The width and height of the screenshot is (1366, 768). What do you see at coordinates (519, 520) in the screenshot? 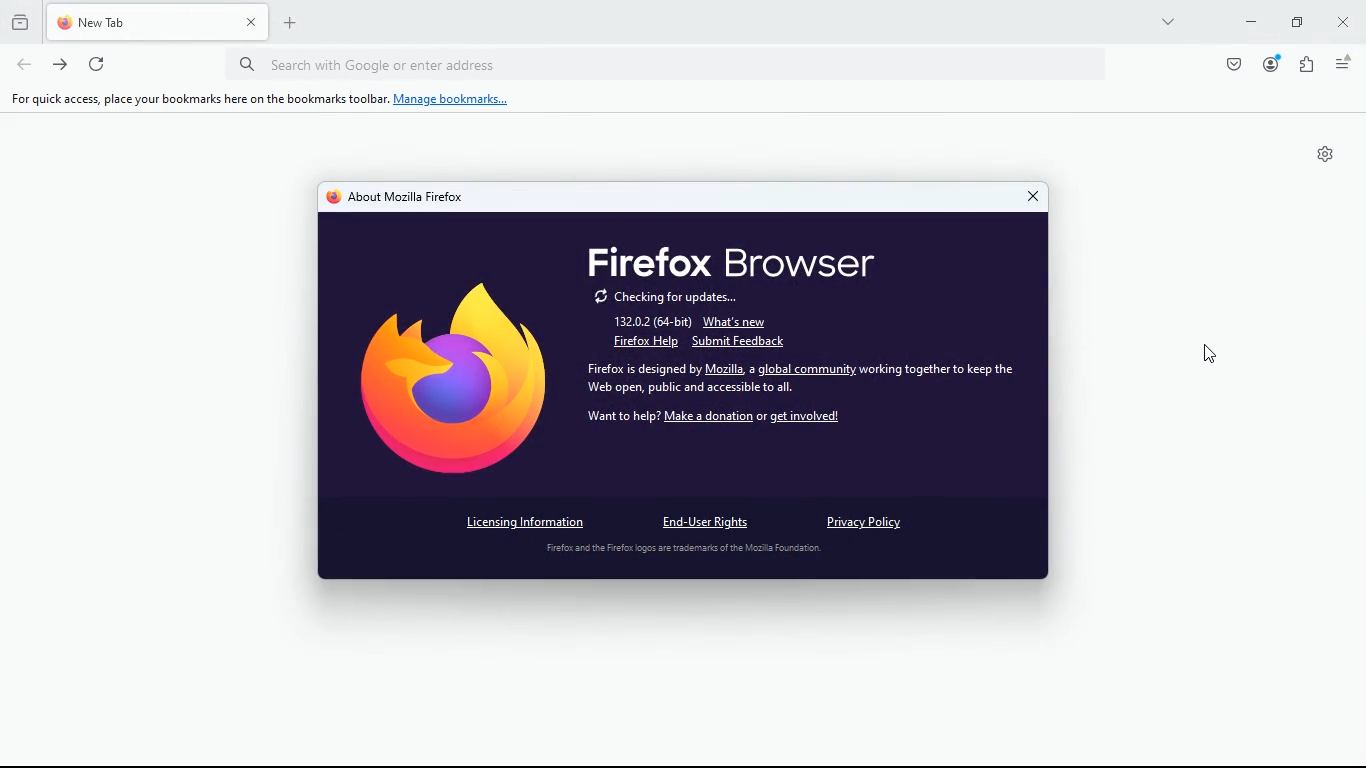
I see `licensing information` at bounding box center [519, 520].